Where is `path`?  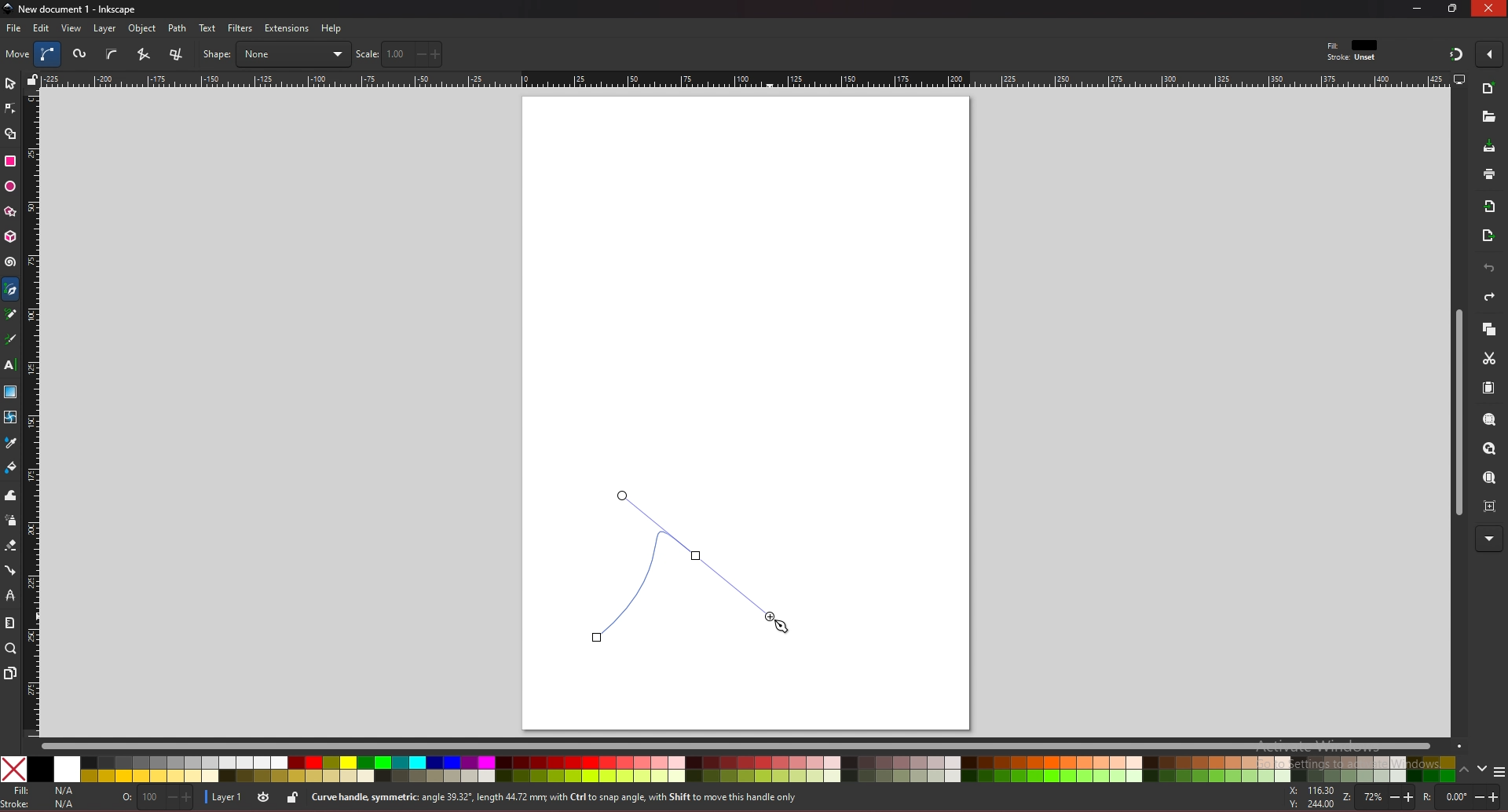 path is located at coordinates (178, 28).